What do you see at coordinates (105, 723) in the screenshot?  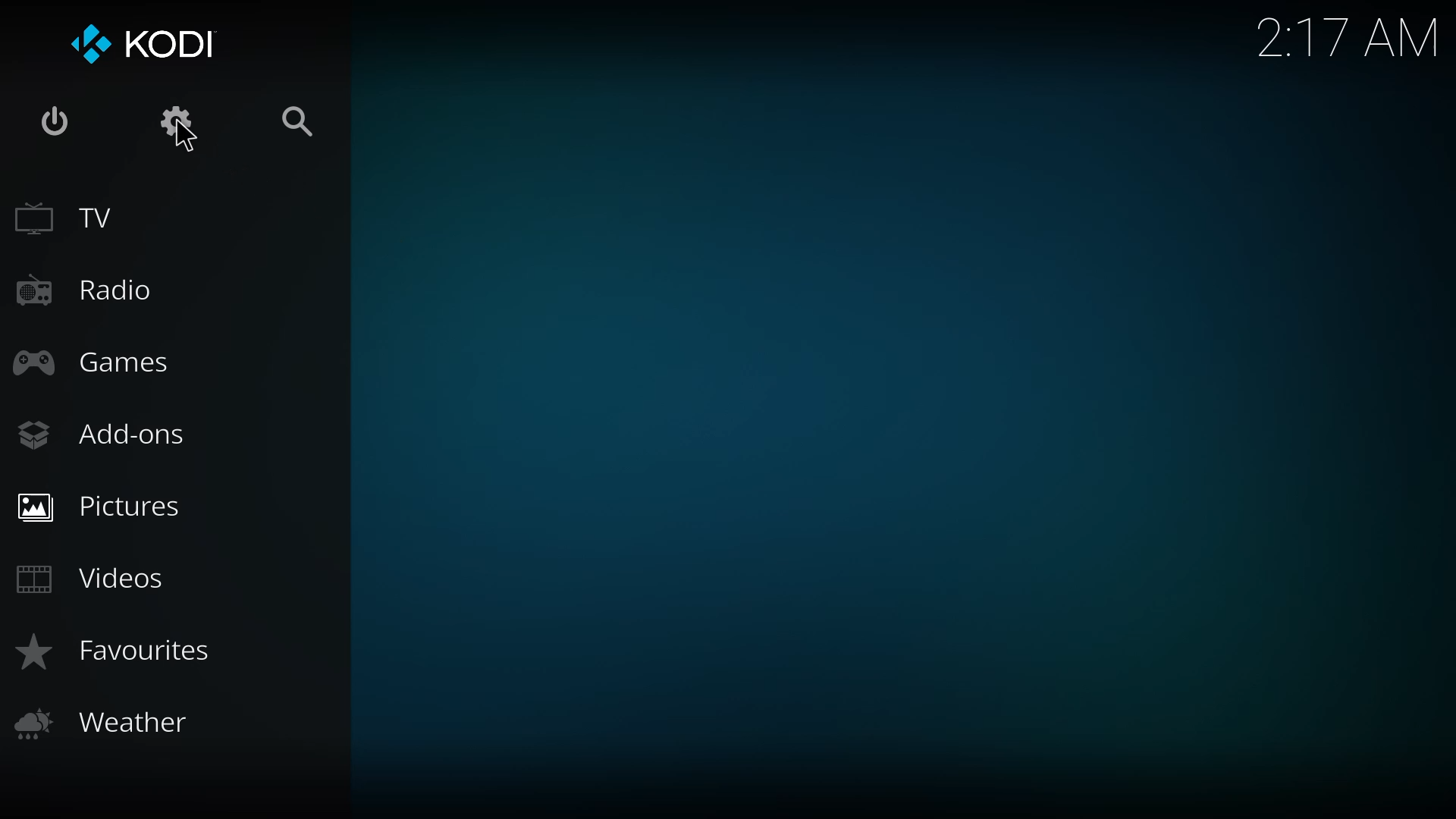 I see `weather` at bounding box center [105, 723].